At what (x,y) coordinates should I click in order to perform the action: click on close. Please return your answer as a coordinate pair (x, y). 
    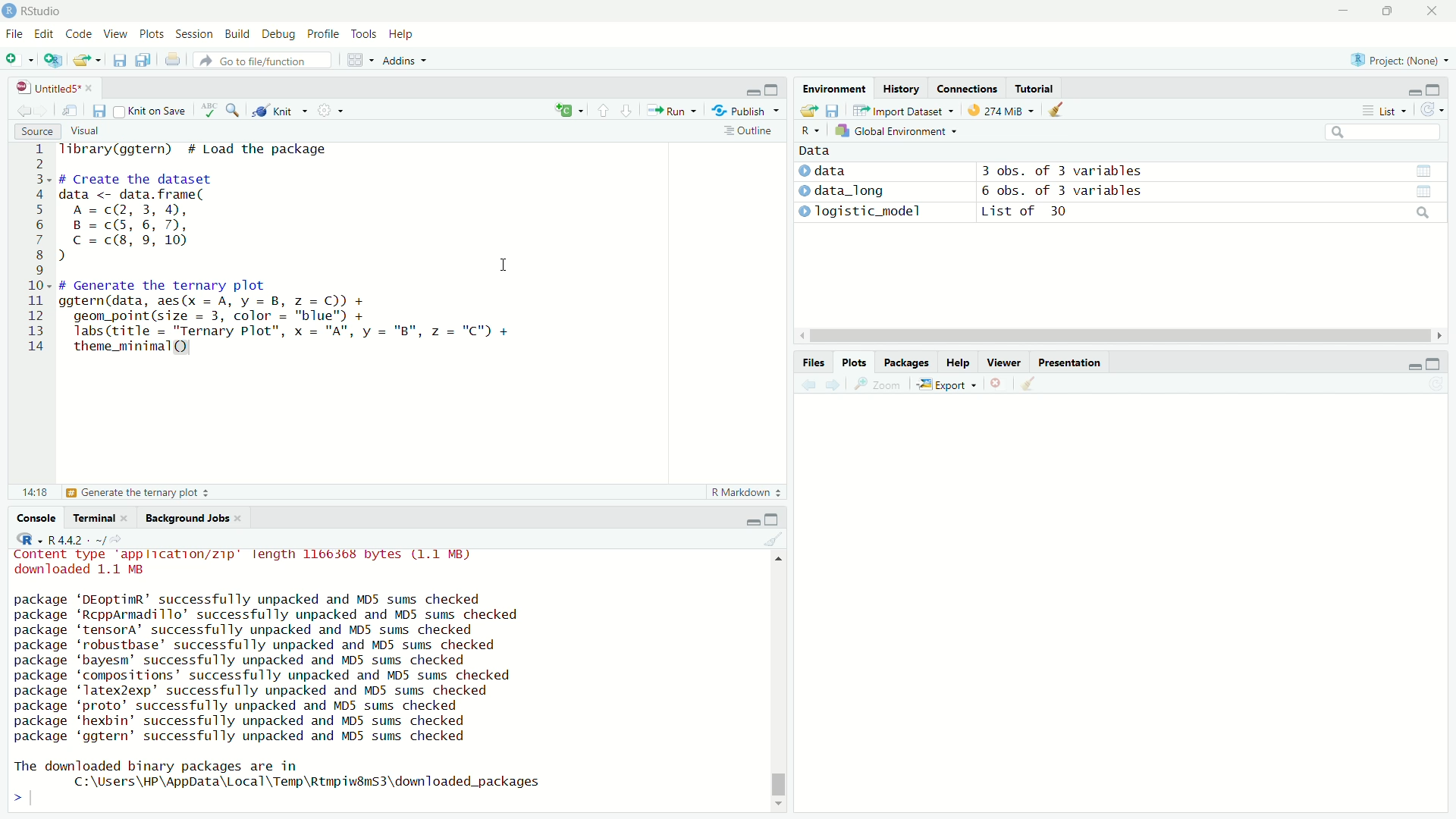
    Looking at the image, I should click on (1432, 13).